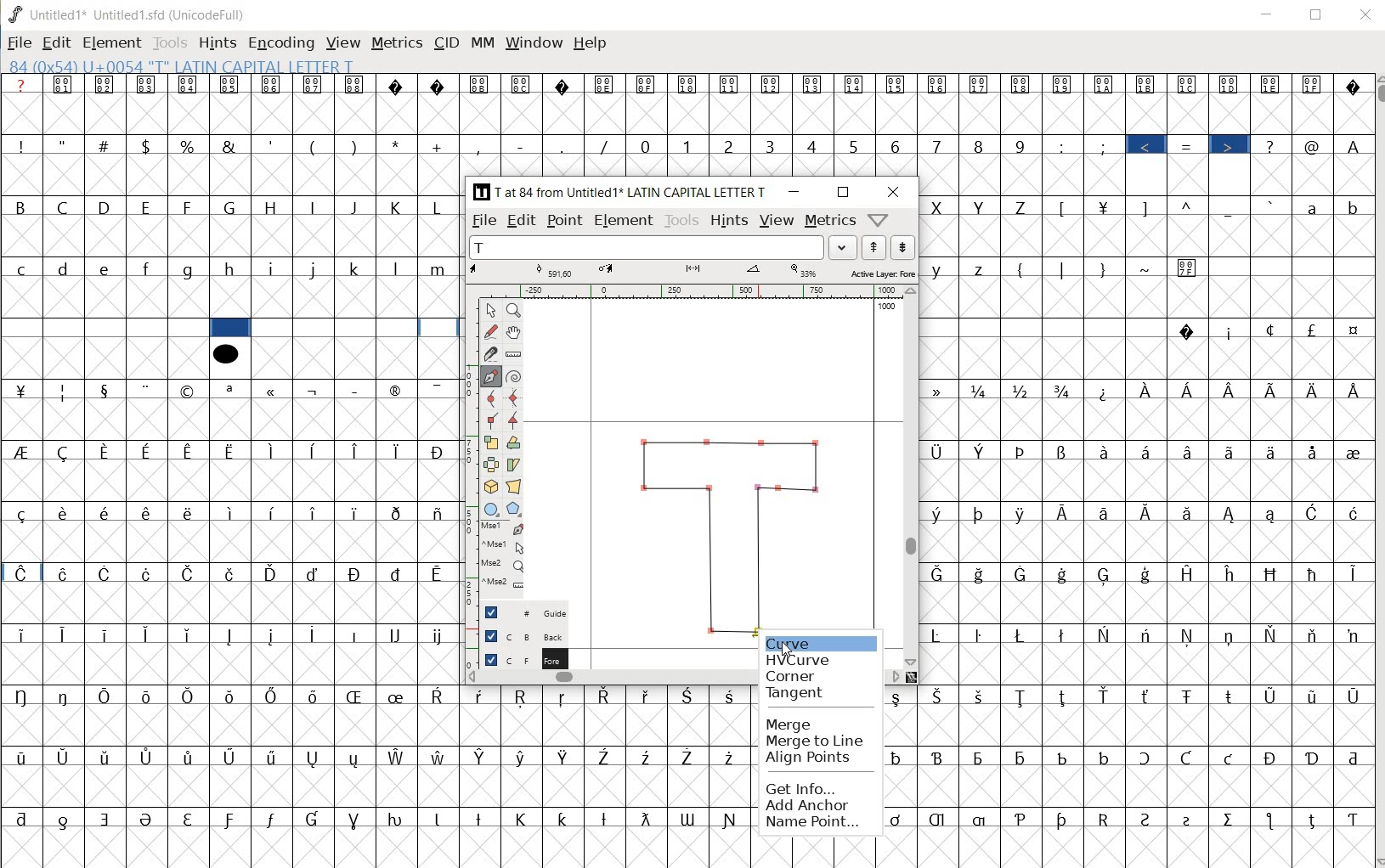 This screenshot has height=868, width=1385. I want to click on h, so click(233, 270).